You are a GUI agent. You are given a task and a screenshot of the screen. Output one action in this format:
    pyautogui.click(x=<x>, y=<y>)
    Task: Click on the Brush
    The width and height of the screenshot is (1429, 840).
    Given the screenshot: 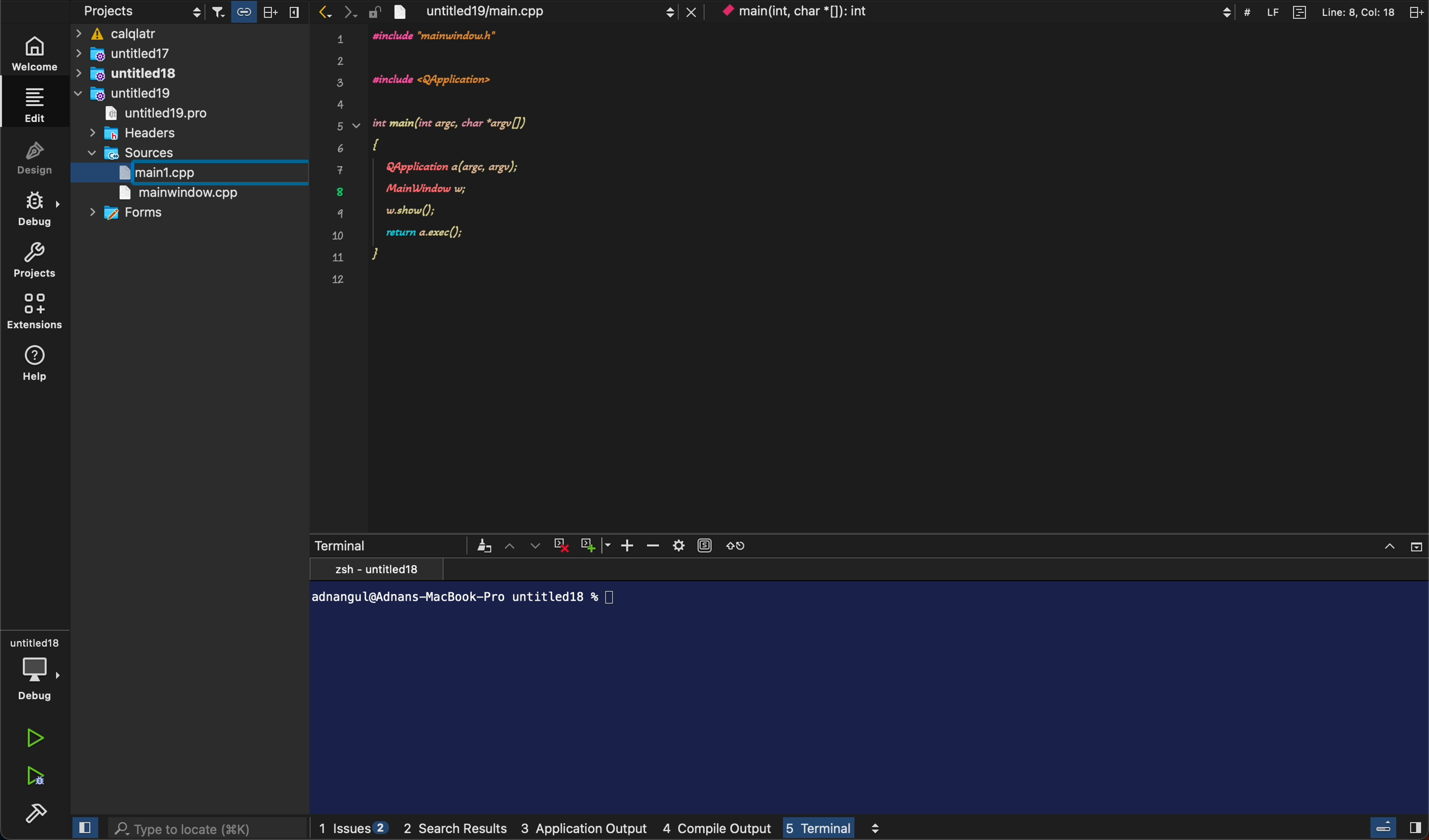 What is the action you would take?
    pyautogui.click(x=484, y=545)
    